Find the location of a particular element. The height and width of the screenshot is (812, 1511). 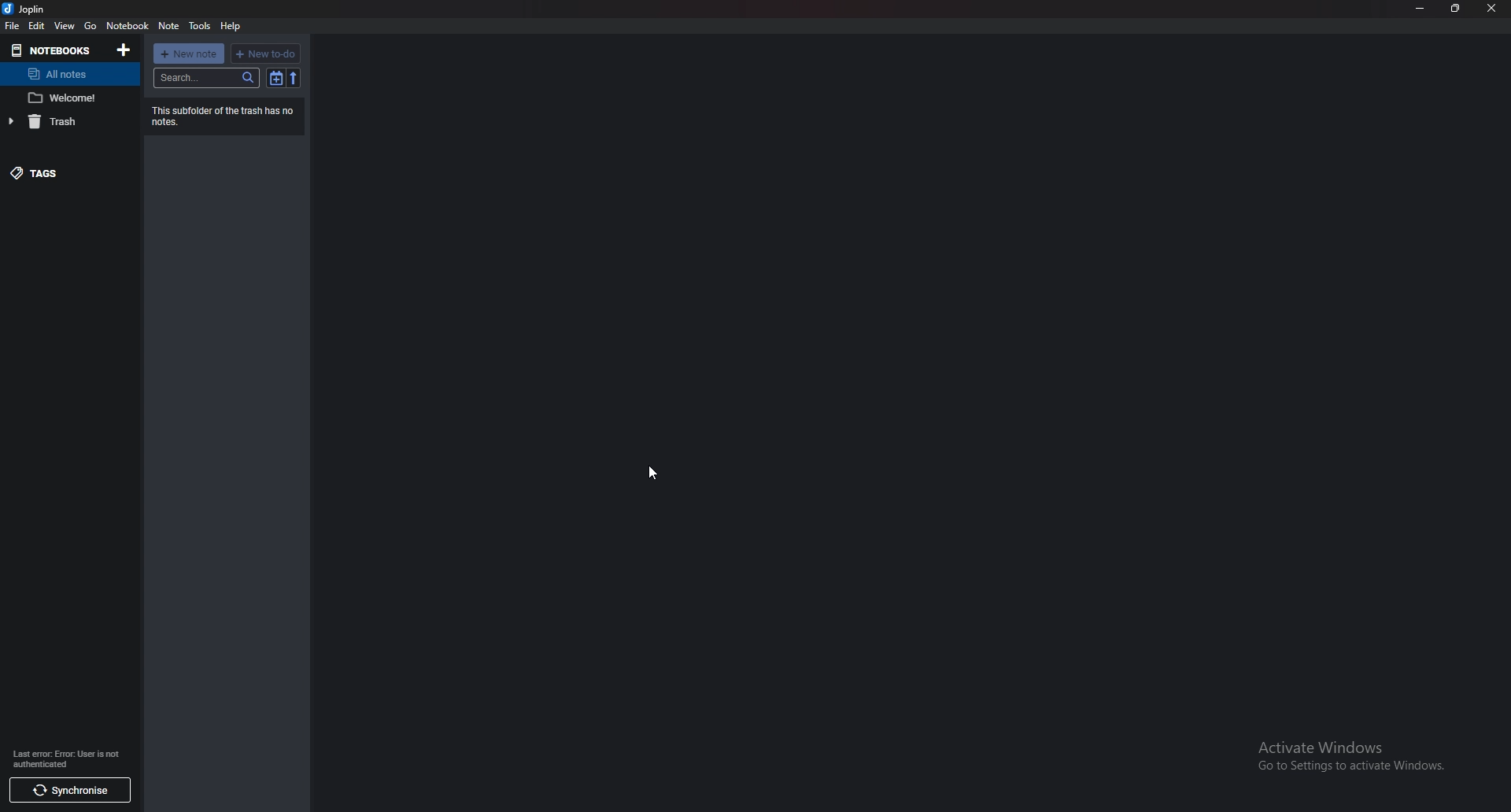

minimize is located at coordinates (1420, 8).